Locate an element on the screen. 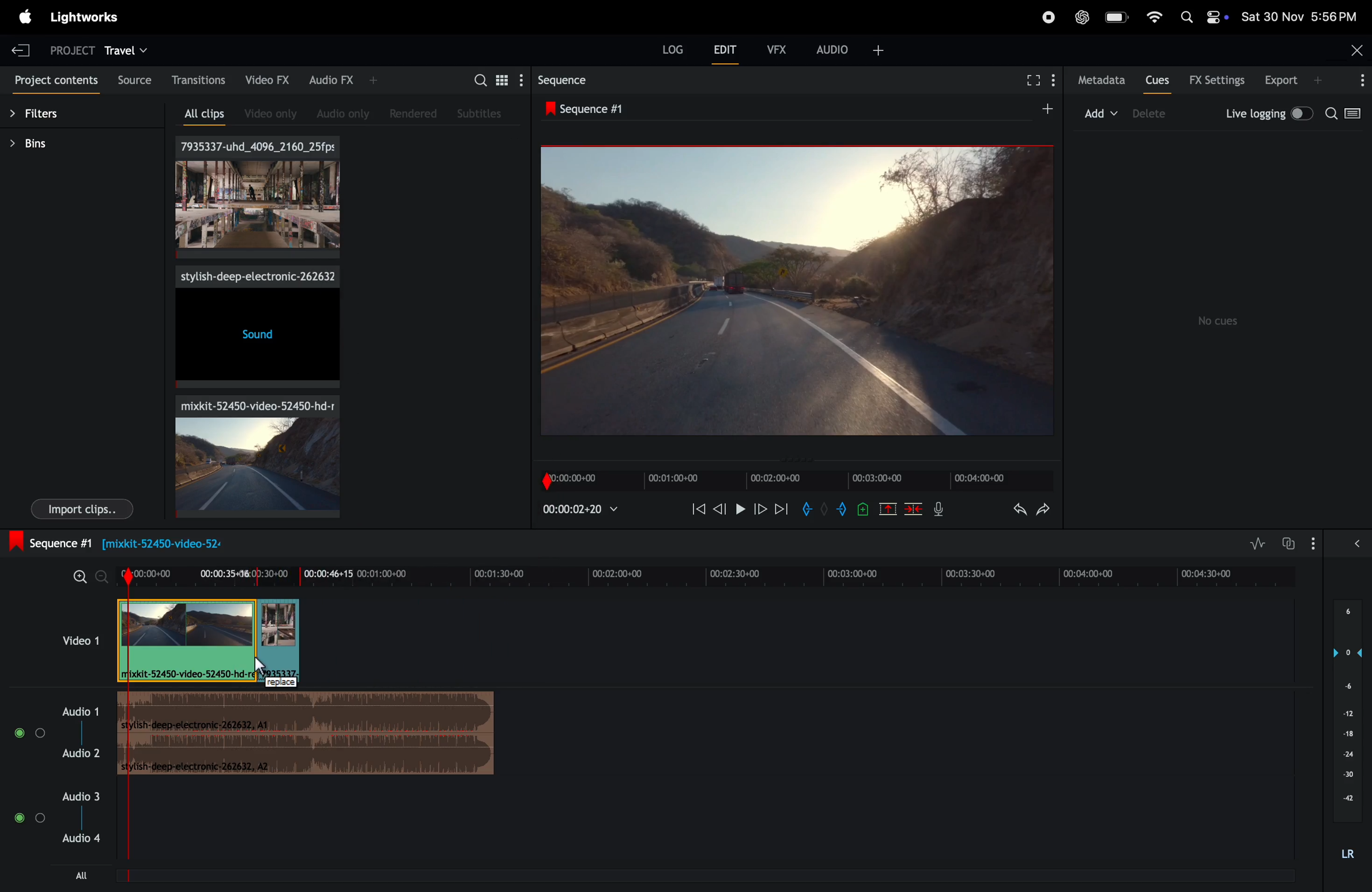 The height and width of the screenshot is (892, 1372). sequence is located at coordinates (562, 82).